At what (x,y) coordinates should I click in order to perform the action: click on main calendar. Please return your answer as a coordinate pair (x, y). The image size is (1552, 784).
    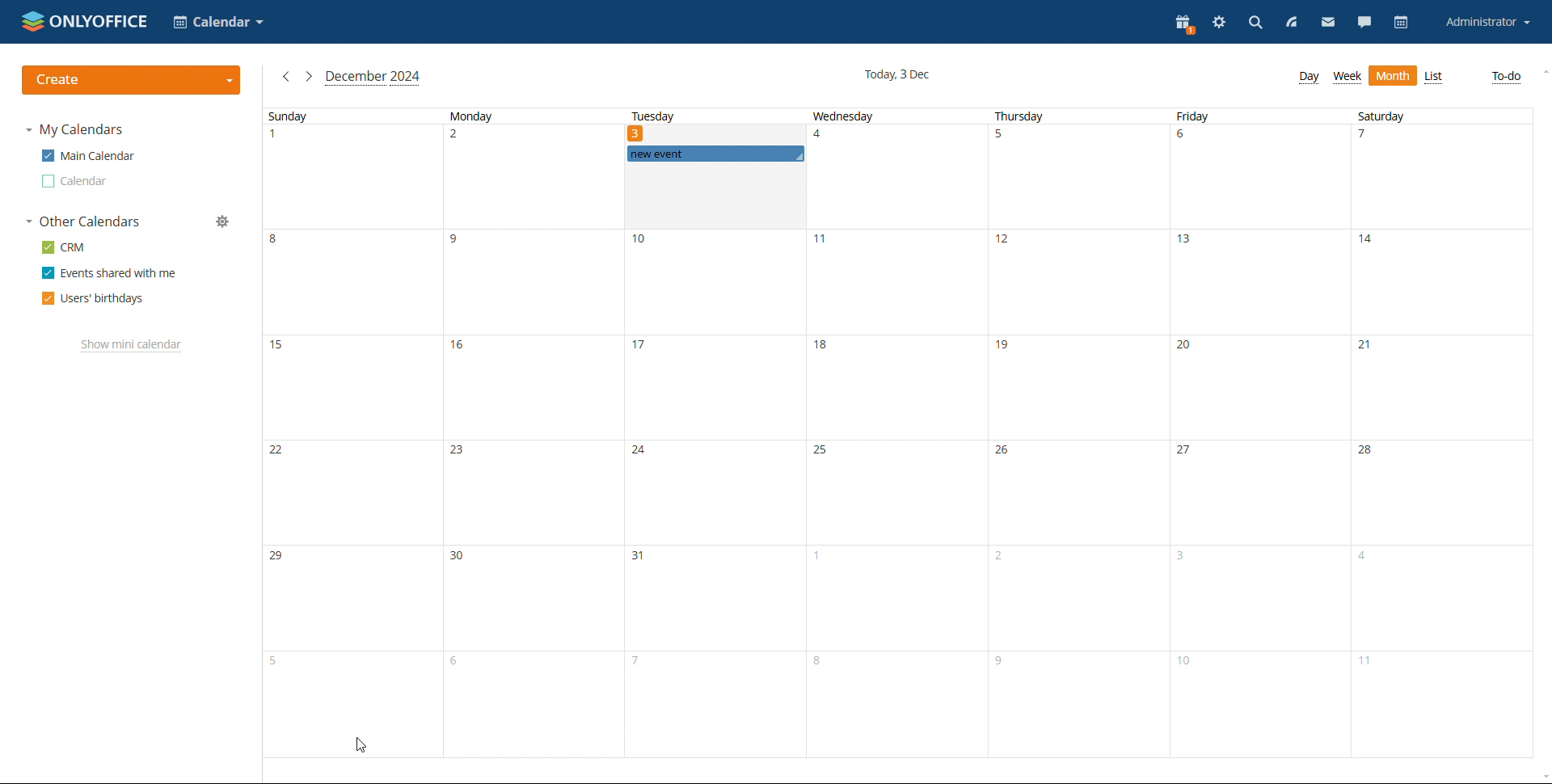
    Looking at the image, I should click on (88, 155).